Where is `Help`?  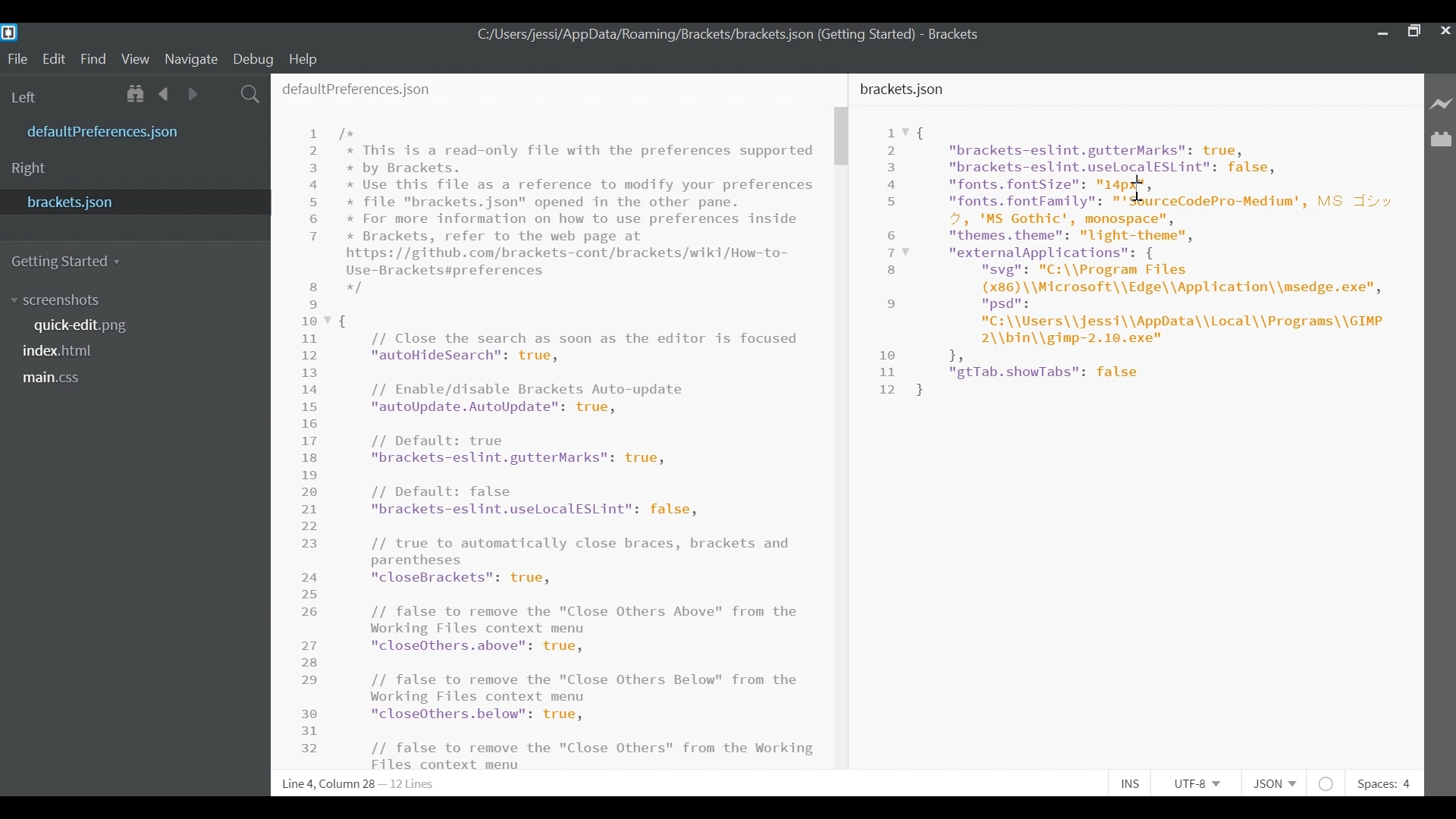
Help is located at coordinates (304, 60).